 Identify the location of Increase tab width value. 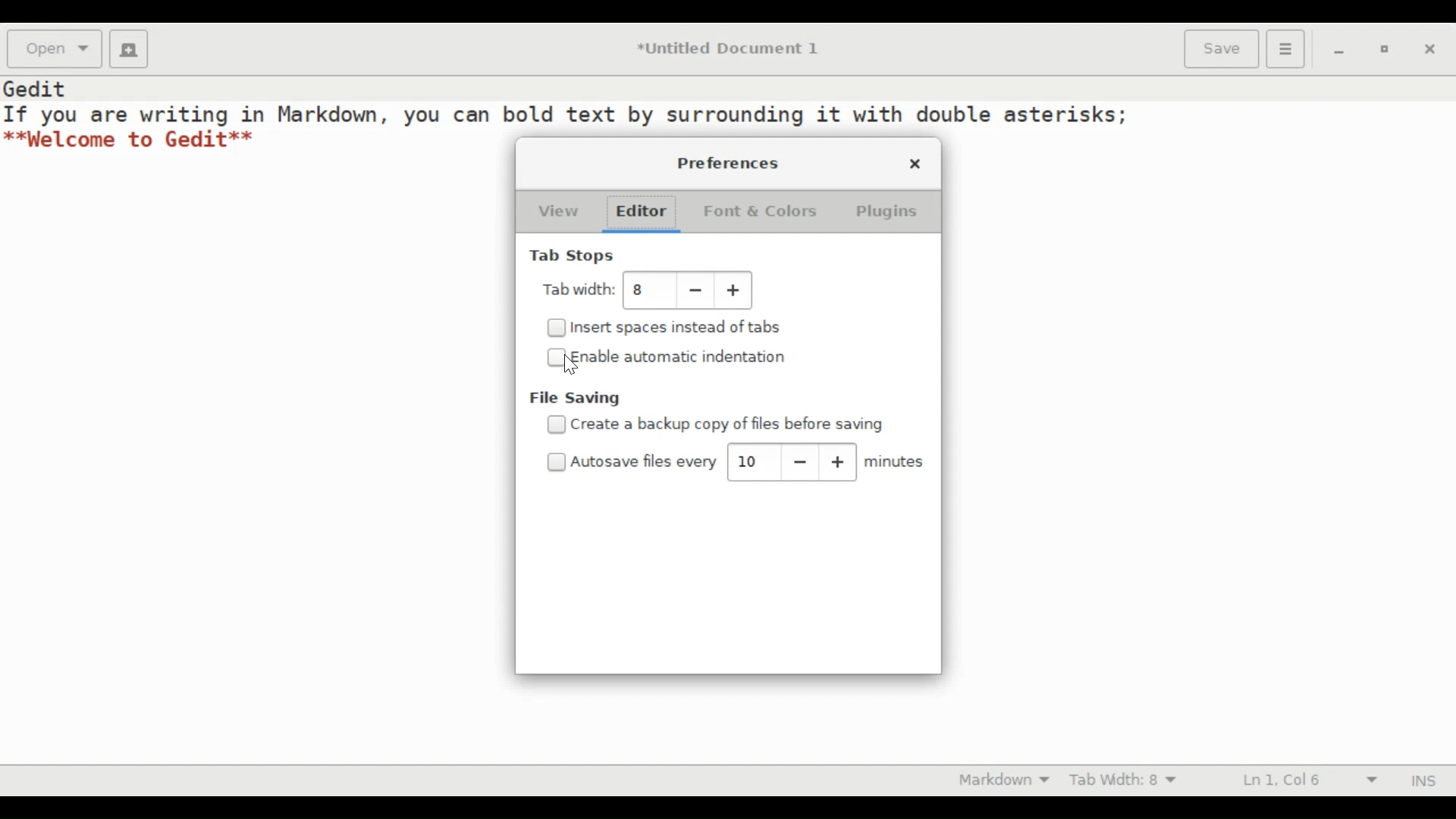
(734, 292).